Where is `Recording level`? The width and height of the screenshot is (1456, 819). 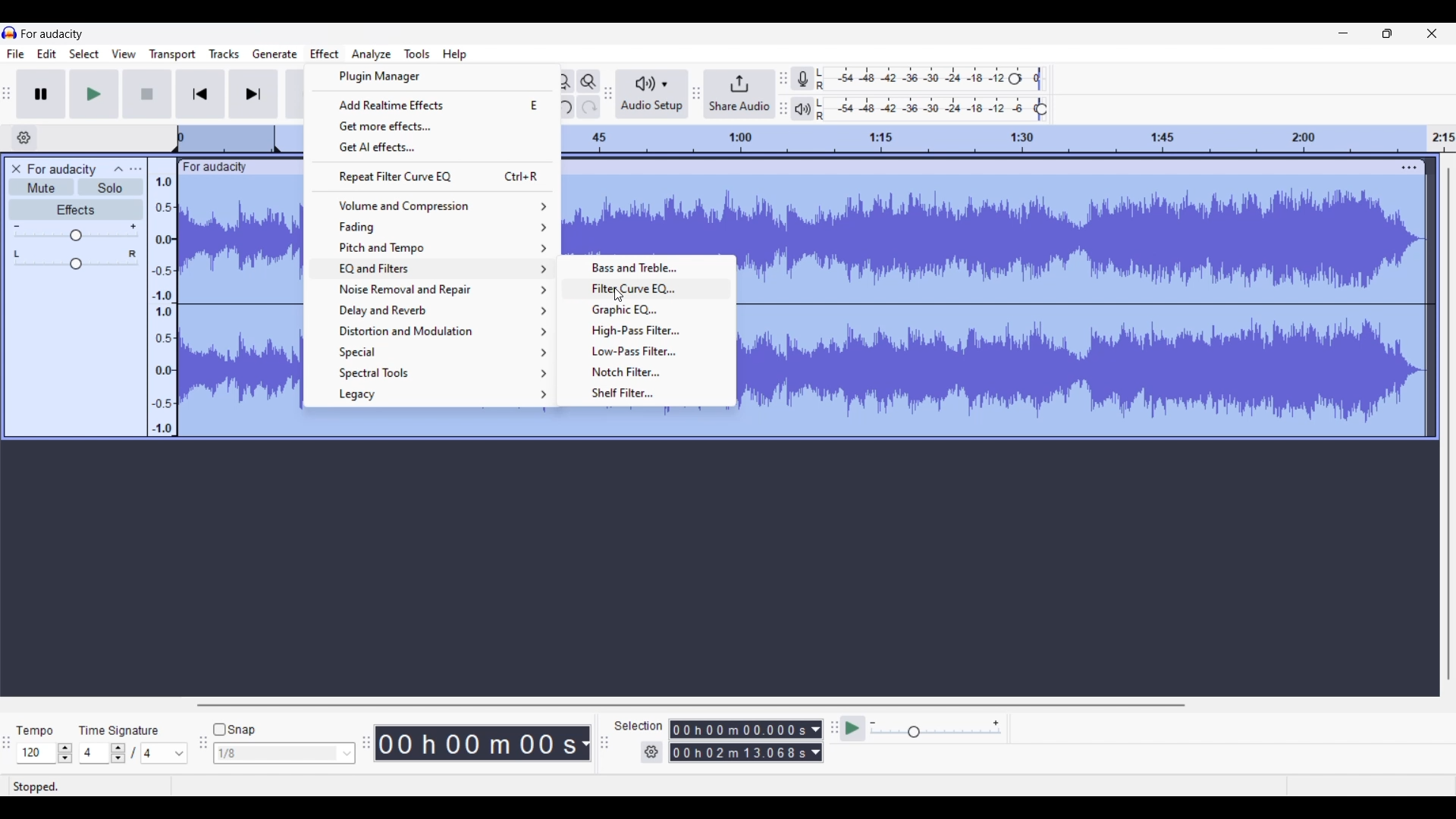
Recording level is located at coordinates (915, 79).